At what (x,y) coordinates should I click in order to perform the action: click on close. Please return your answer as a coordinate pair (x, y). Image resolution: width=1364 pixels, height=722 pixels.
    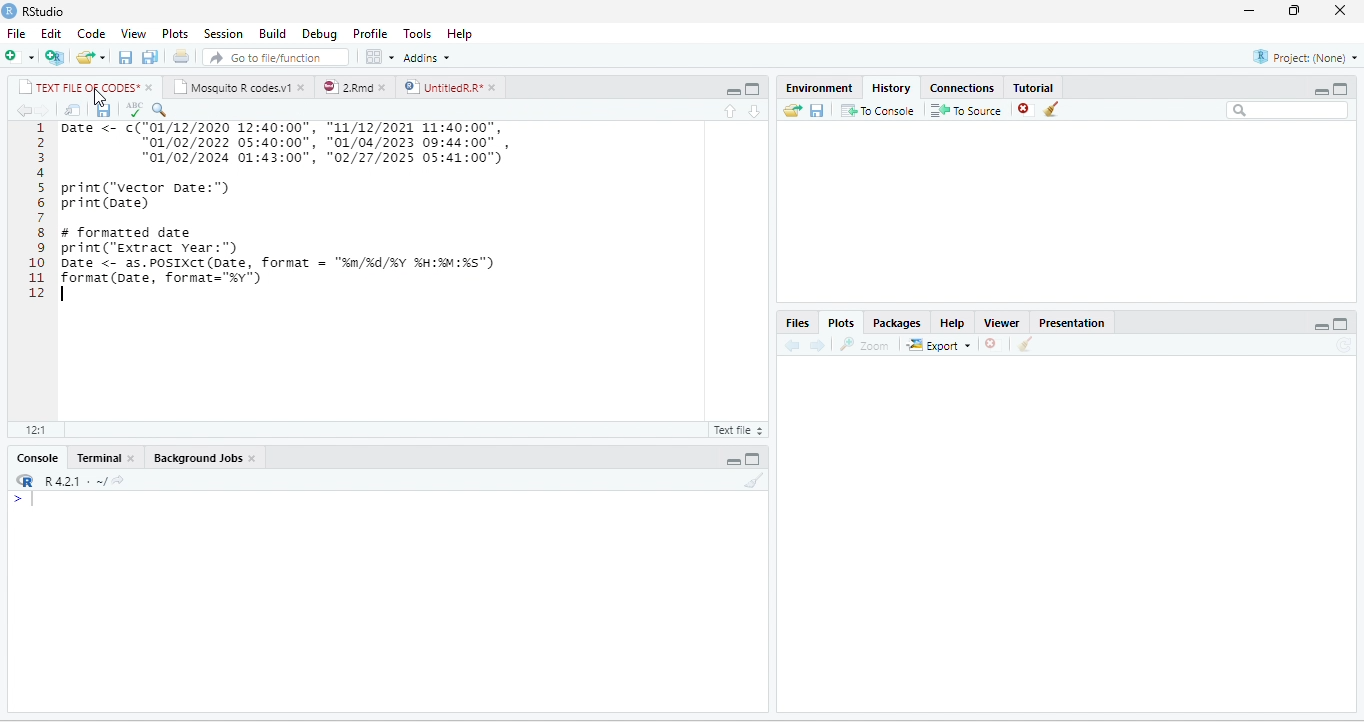
    Looking at the image, I should click on (1340, 11).